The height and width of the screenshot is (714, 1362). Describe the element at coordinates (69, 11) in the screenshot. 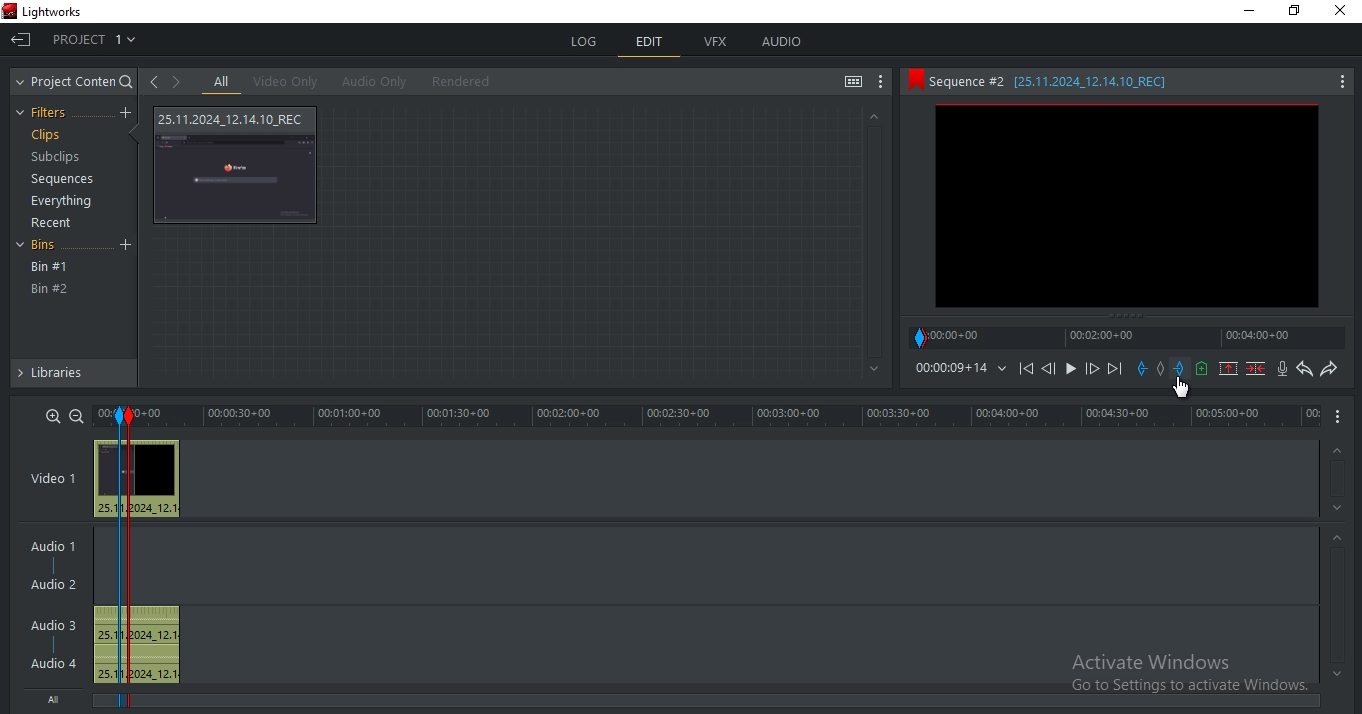

I see `Lightworks` at that location.